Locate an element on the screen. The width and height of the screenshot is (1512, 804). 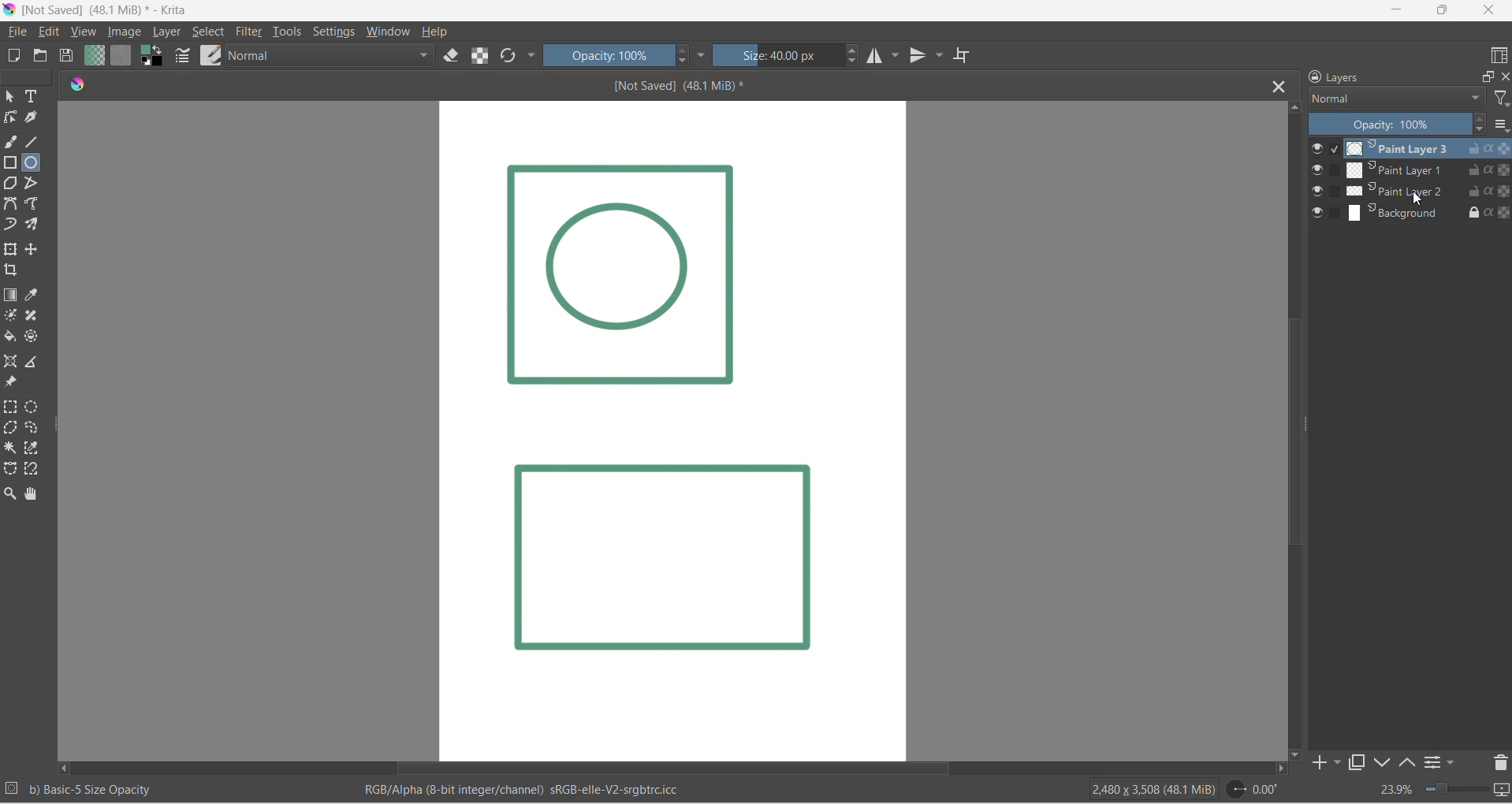
freehand brush tool is located at coordinates (11, 143).